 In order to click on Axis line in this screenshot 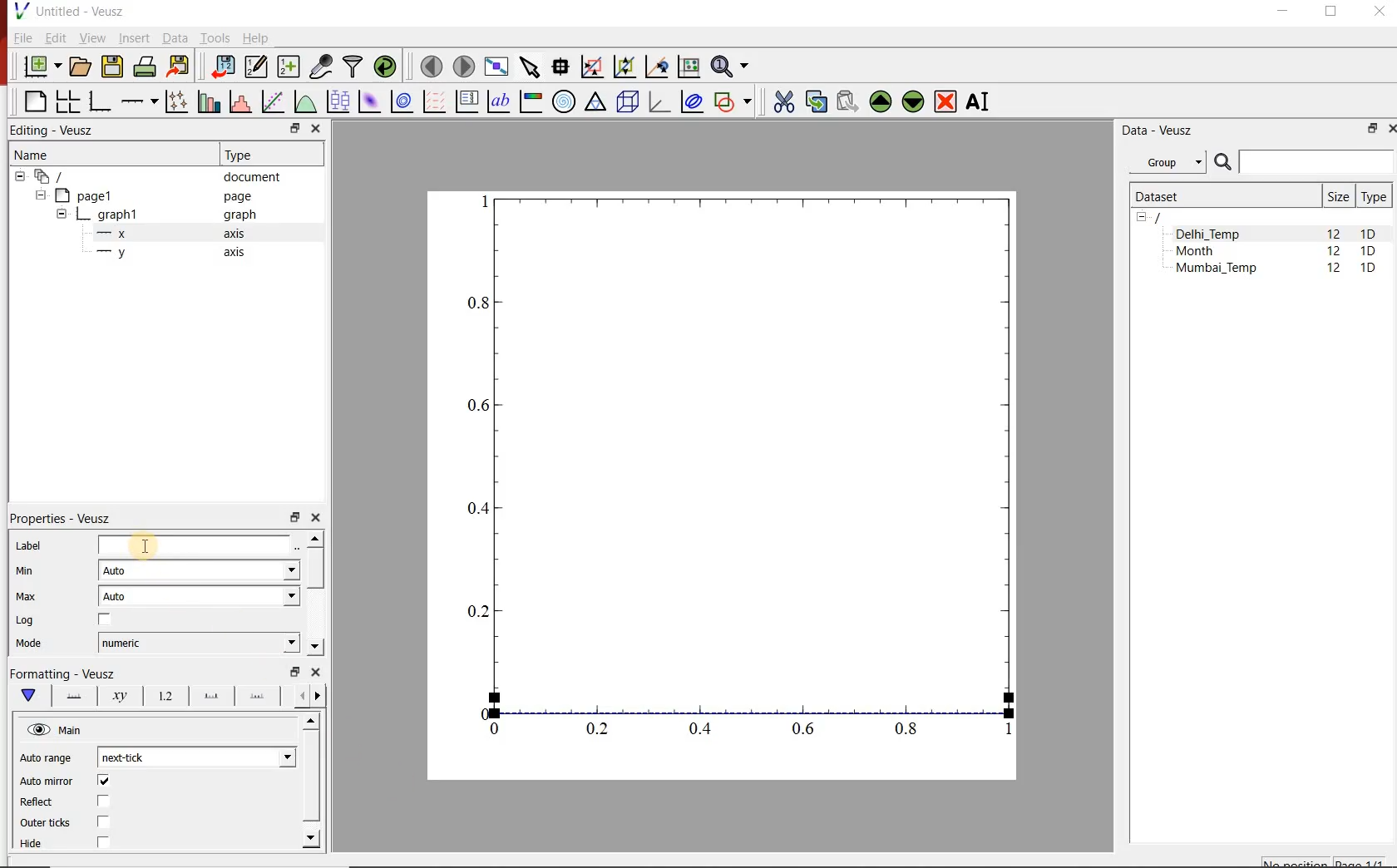, I will do `click(72, 696)`.